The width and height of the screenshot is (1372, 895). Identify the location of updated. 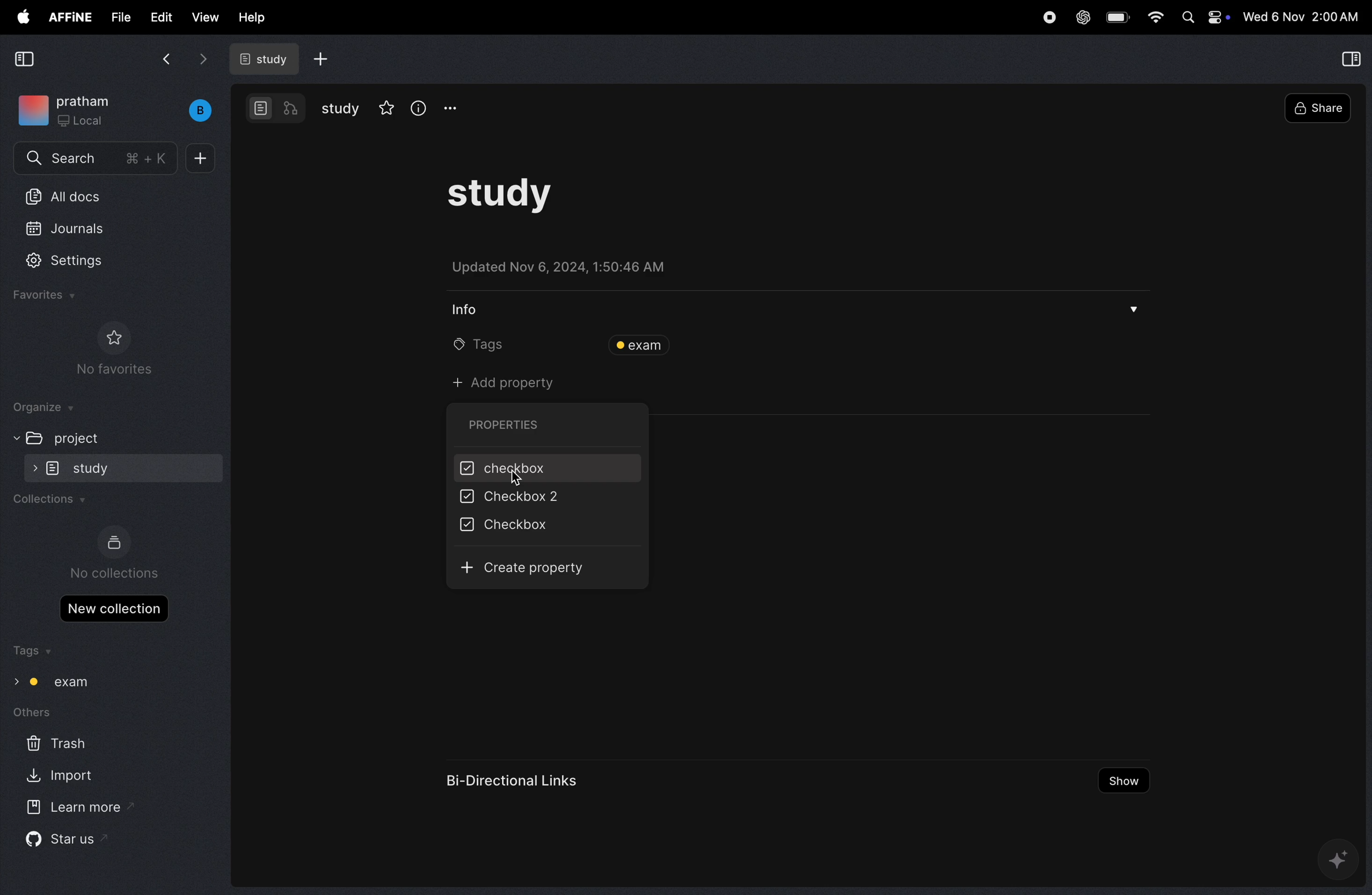
(561, 265).